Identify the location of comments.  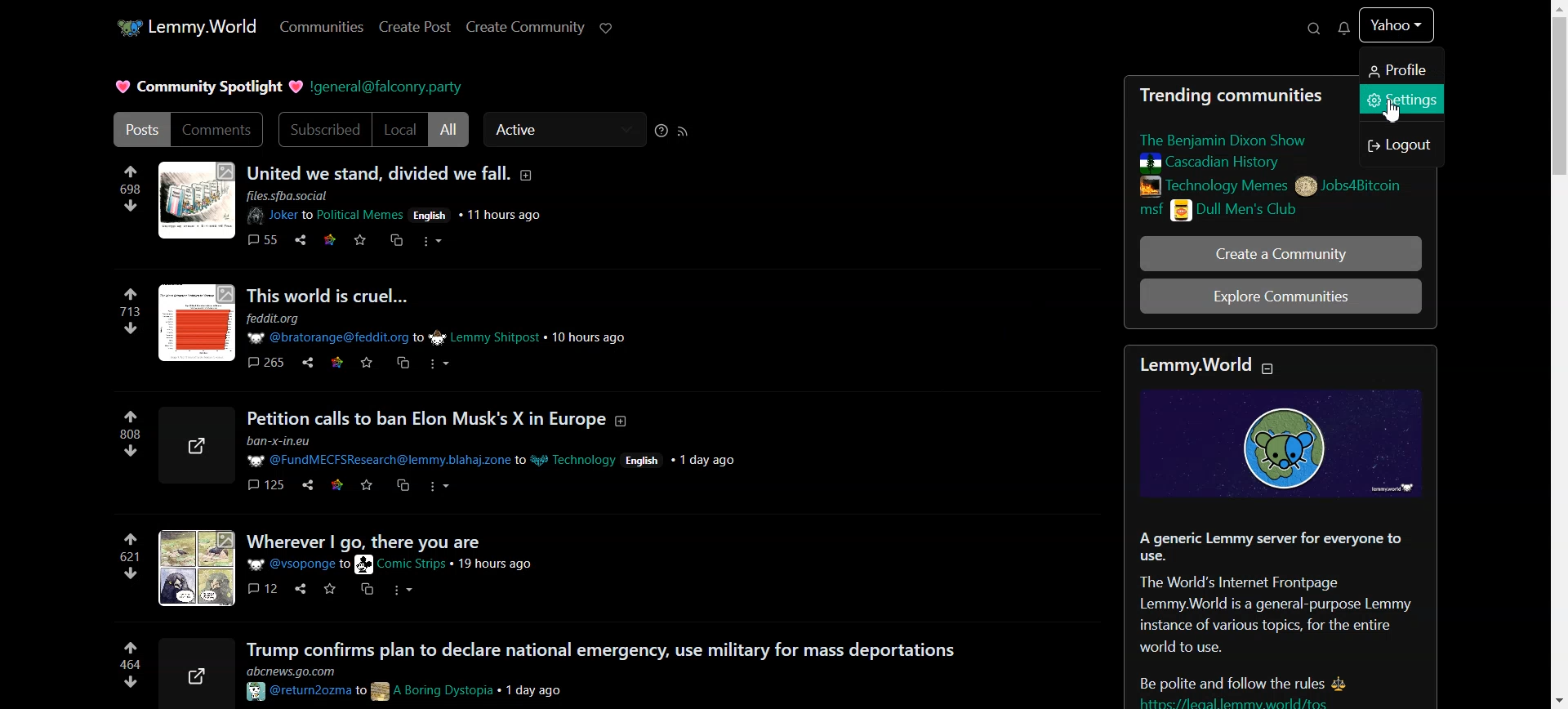
(261, 488).